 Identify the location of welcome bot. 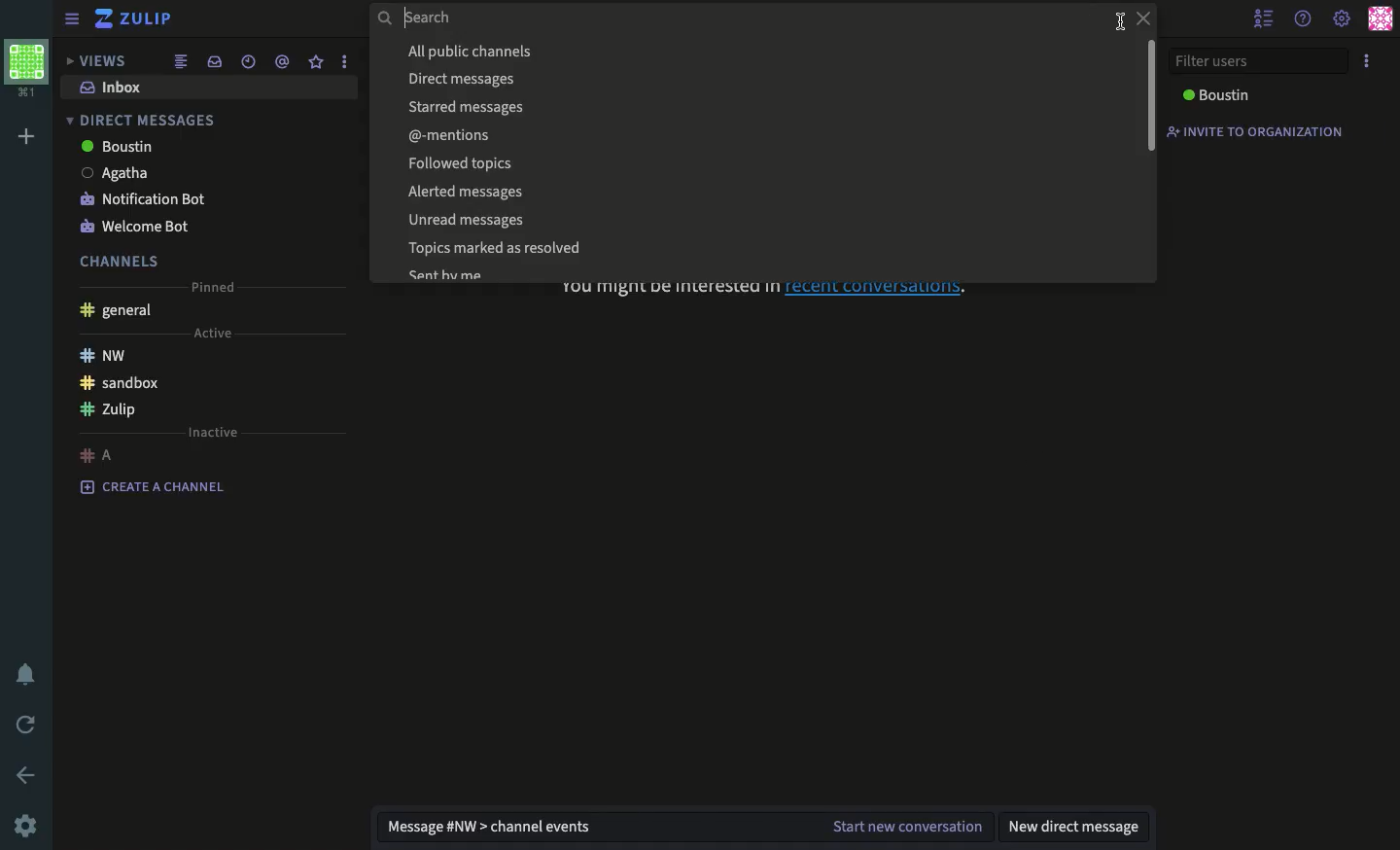
(139, 227).